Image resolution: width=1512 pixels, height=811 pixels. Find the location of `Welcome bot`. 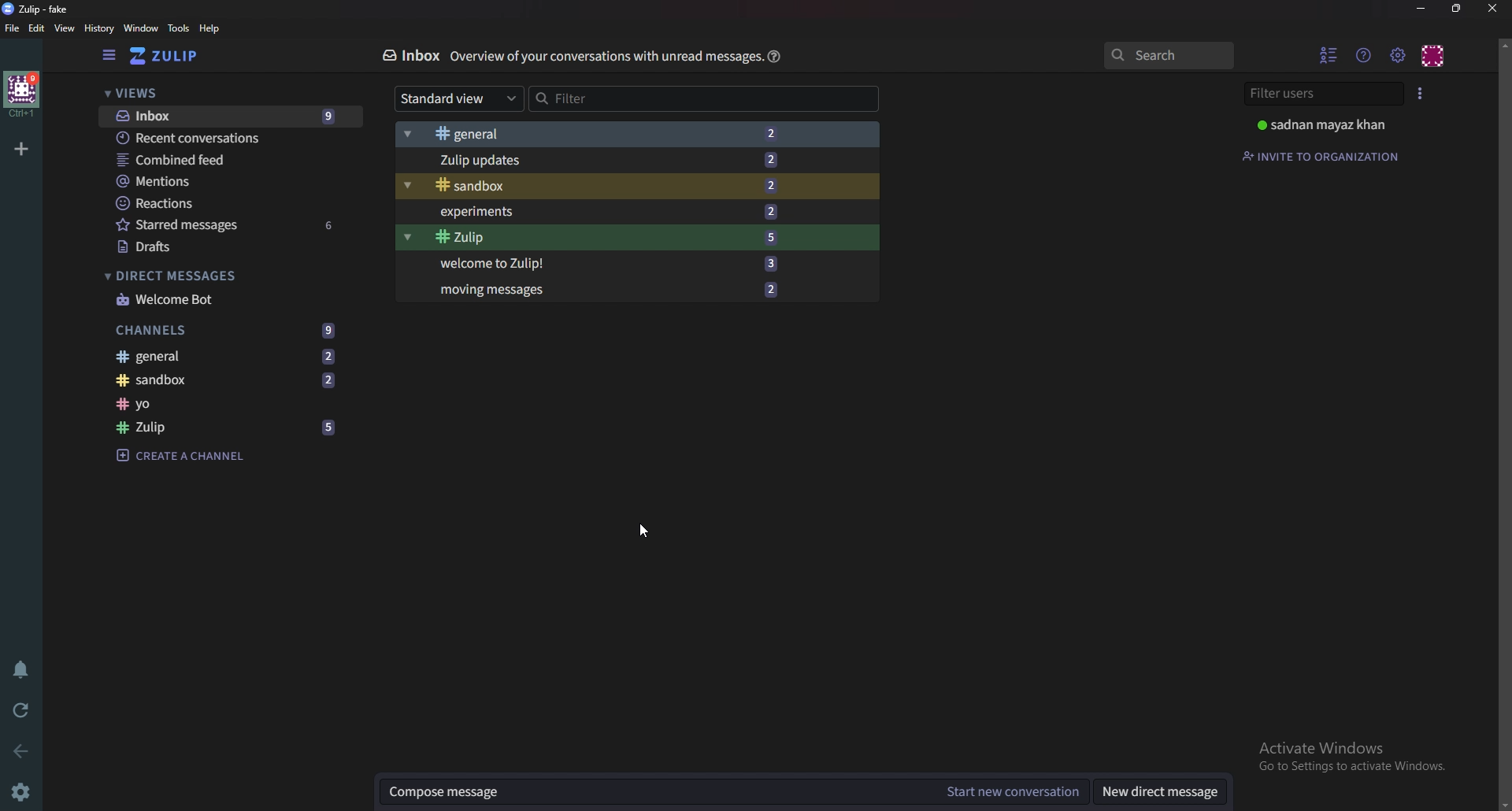

Welcome bot is located at coordinates (213, 300).